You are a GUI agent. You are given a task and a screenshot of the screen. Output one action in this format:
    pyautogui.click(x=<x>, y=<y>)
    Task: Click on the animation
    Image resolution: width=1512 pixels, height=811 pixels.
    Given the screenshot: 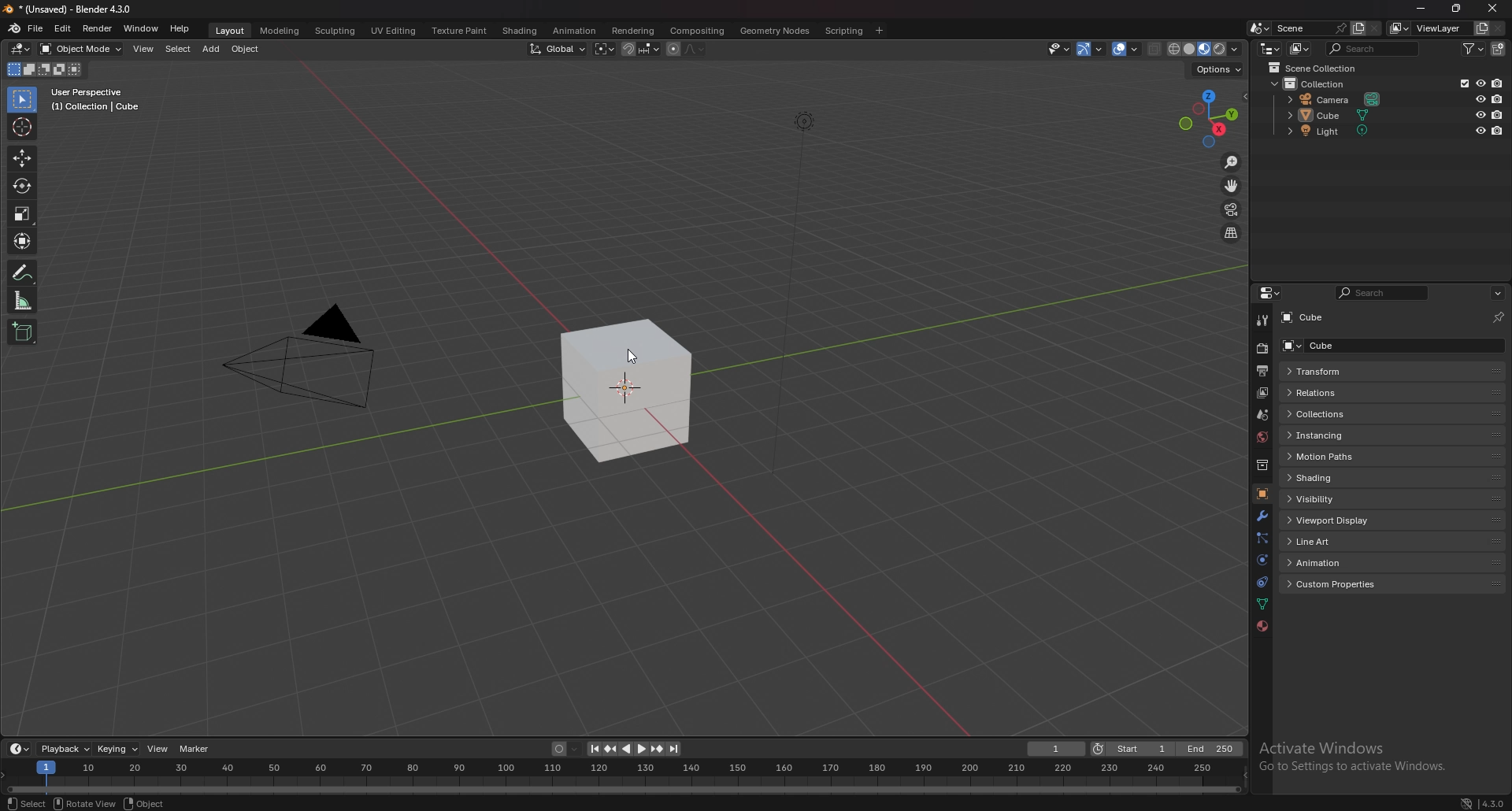 What is the action you would take?
    pyautogui.click(x=1337, y=562)
    